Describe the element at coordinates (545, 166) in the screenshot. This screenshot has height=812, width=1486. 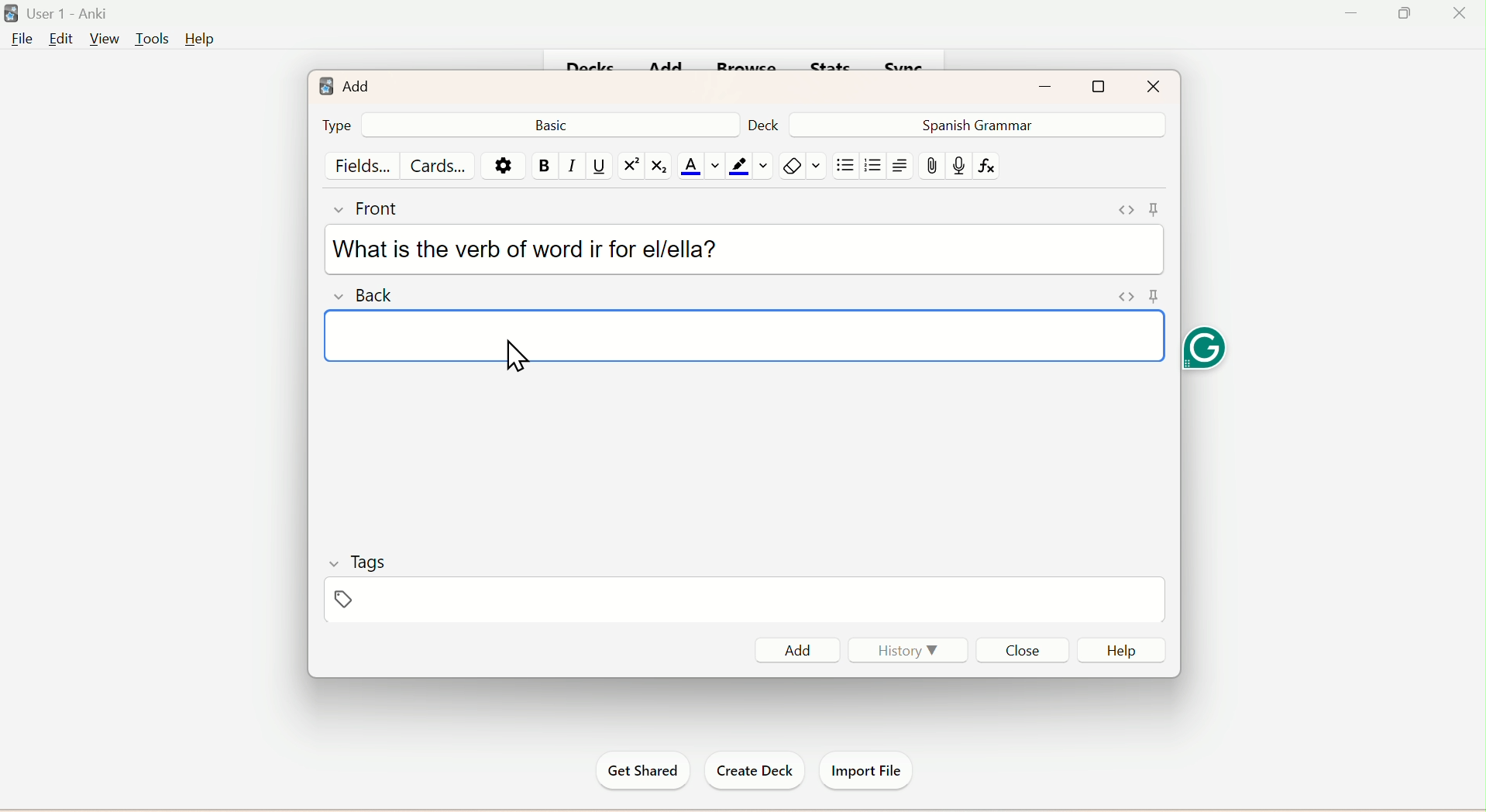
I see `Bold` at that location.